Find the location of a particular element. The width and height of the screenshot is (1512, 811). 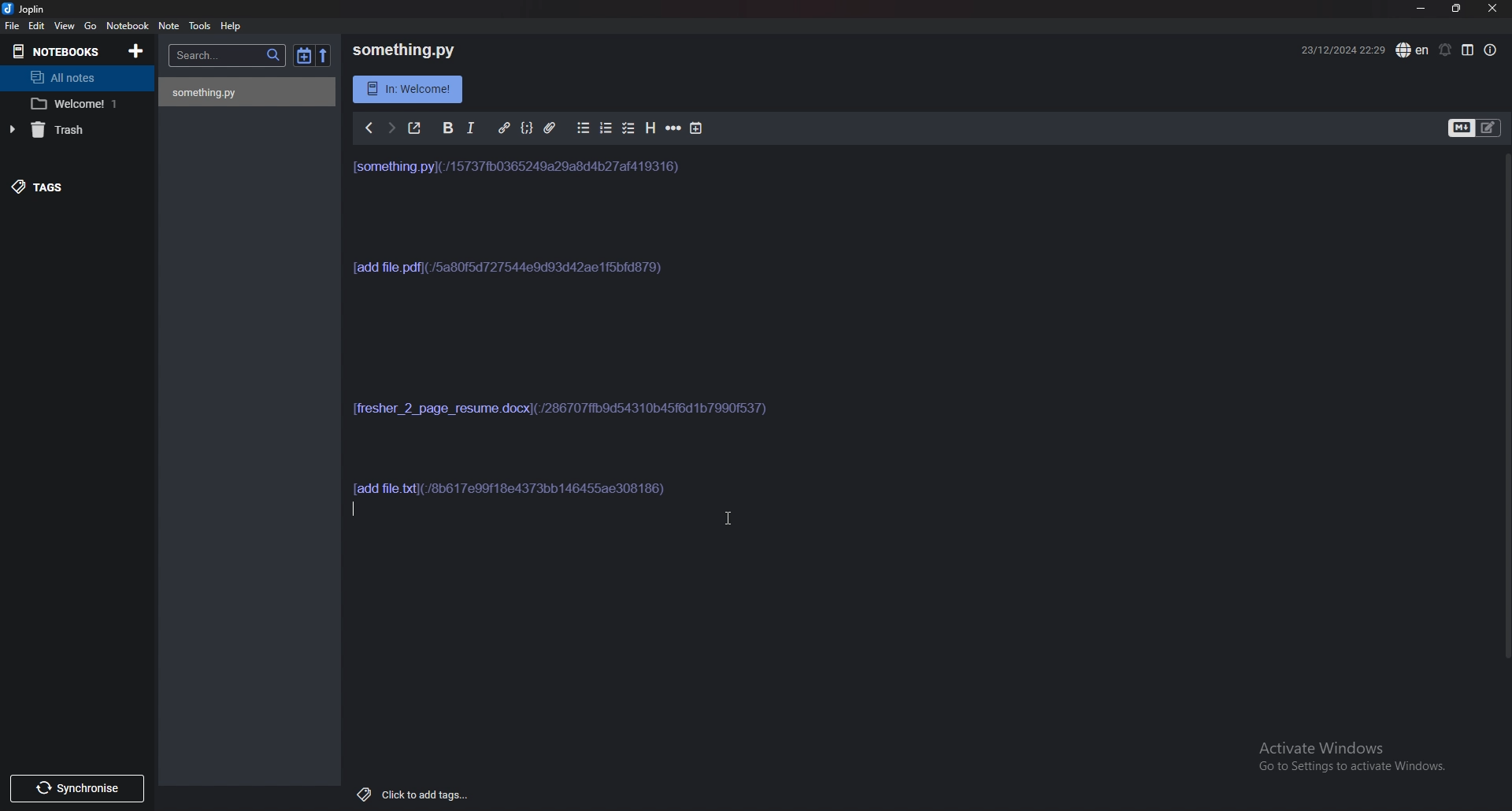

Tools is located at coordinates (202, 25).